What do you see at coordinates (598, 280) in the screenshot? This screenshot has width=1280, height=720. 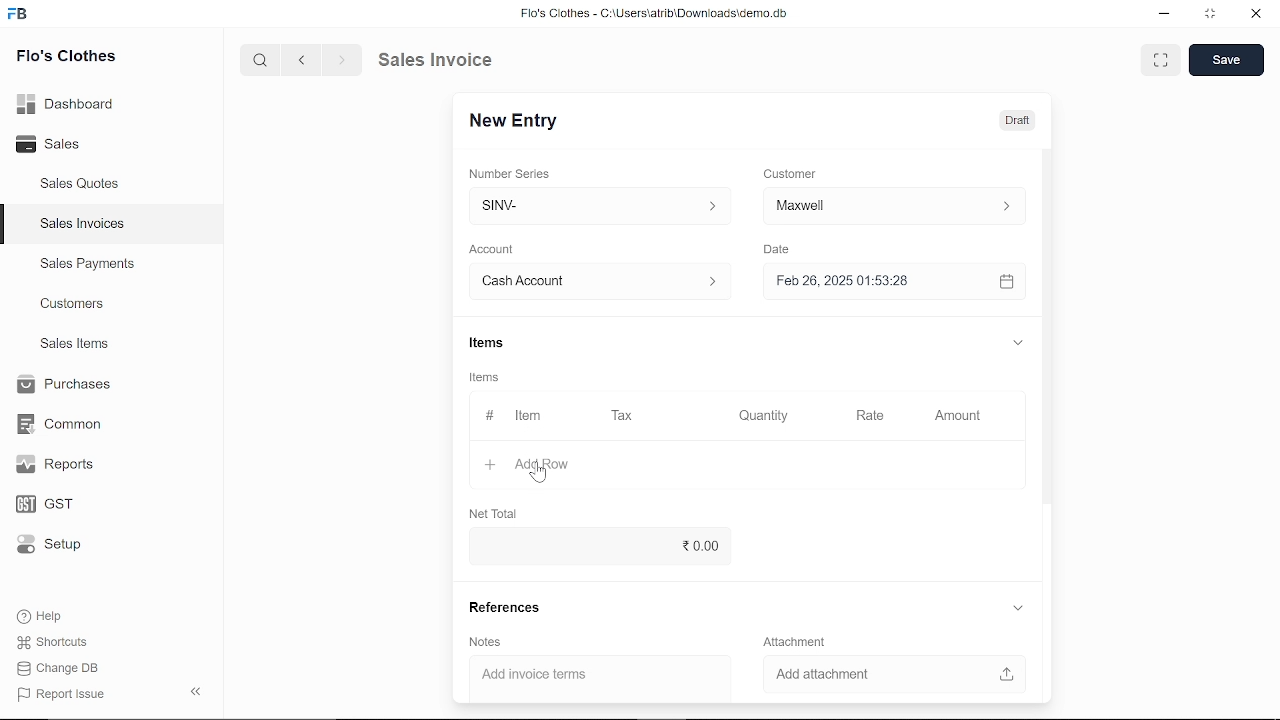 I see `Account :` at bounding box center [598, 280].